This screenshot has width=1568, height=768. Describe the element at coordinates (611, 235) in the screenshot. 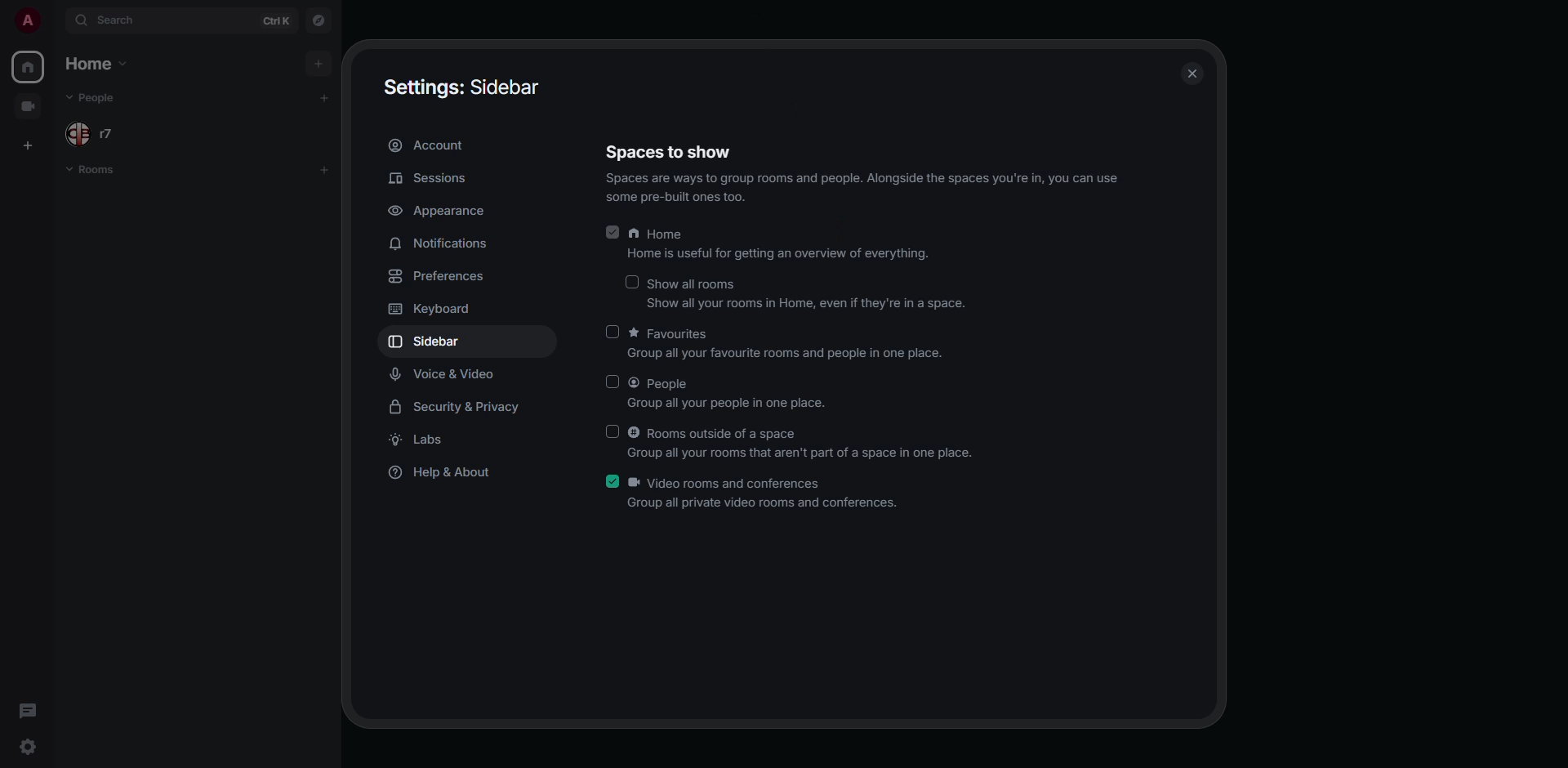

I see `enabled` at that location.